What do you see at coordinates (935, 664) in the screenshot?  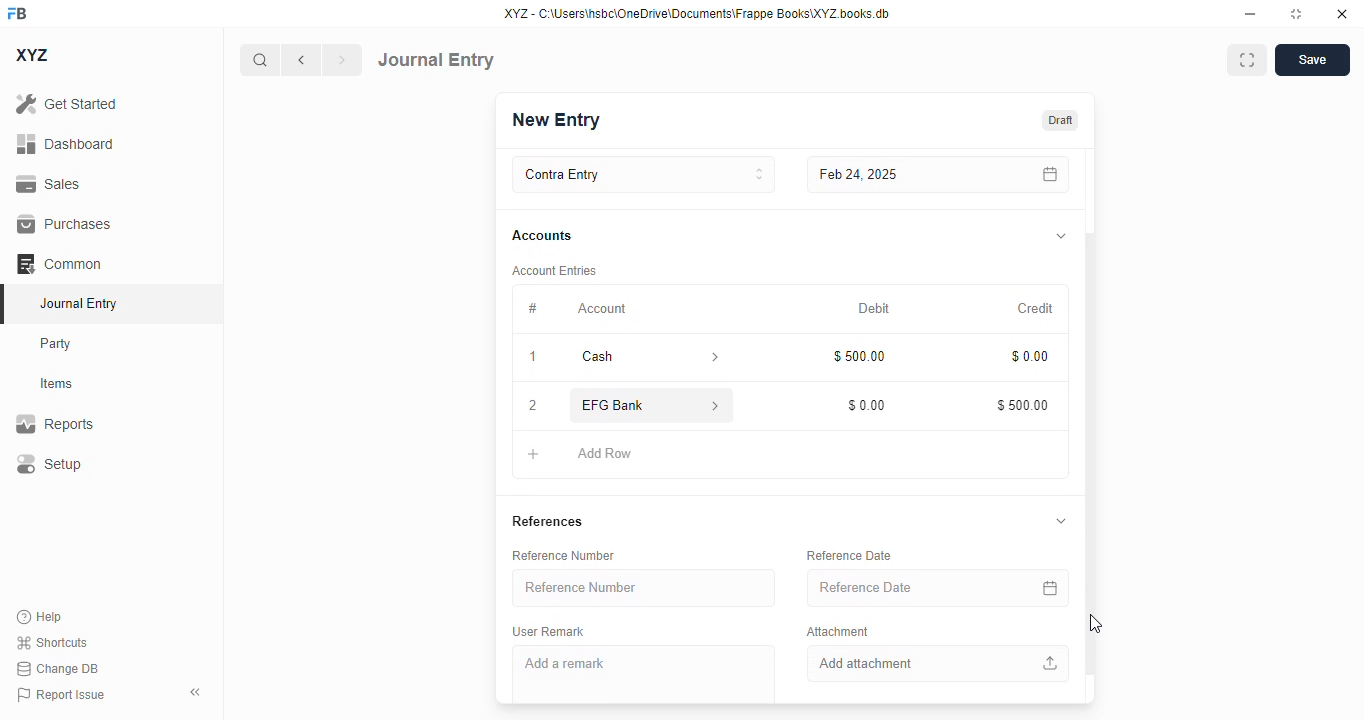 I see `add attachment` at bounding box center [935, 664].